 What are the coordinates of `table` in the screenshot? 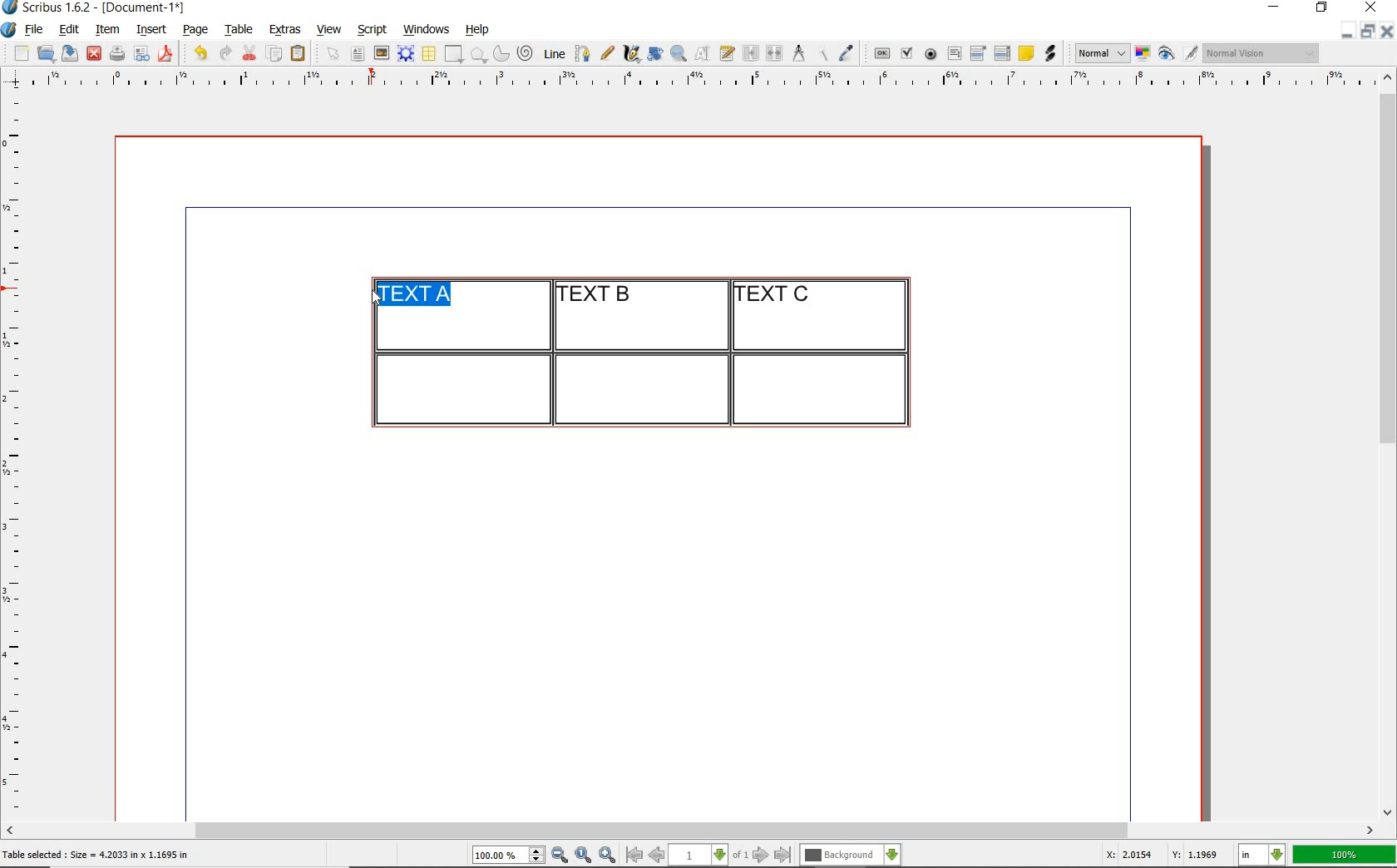 It's located at (239, 30).